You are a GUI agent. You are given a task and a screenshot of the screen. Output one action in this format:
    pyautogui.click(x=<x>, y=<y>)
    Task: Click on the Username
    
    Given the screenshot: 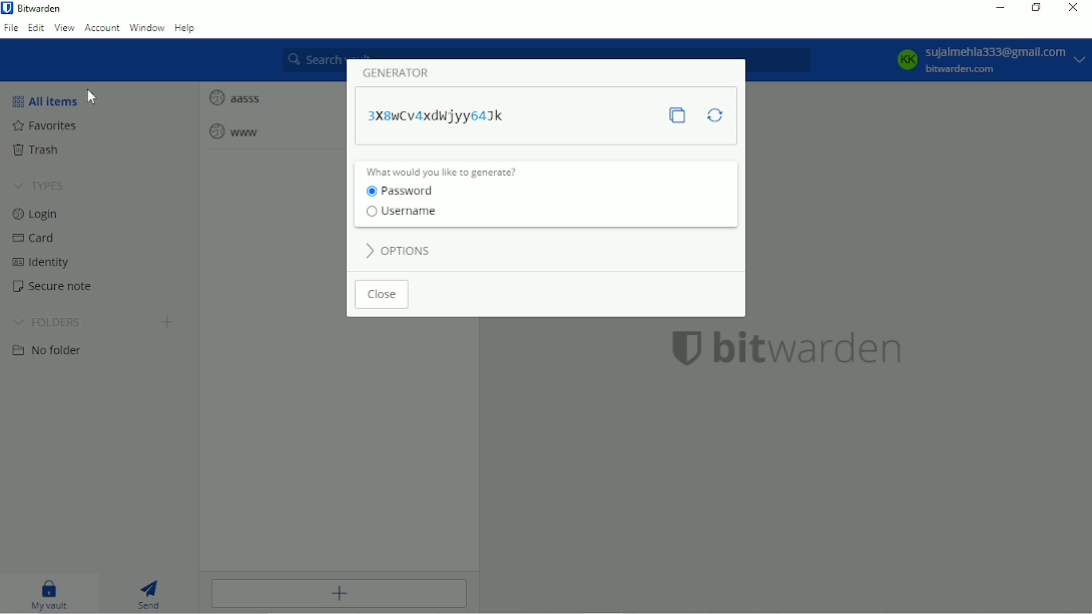 What is the action you would take?
    pyautogui.click(x=407, y=214)
    